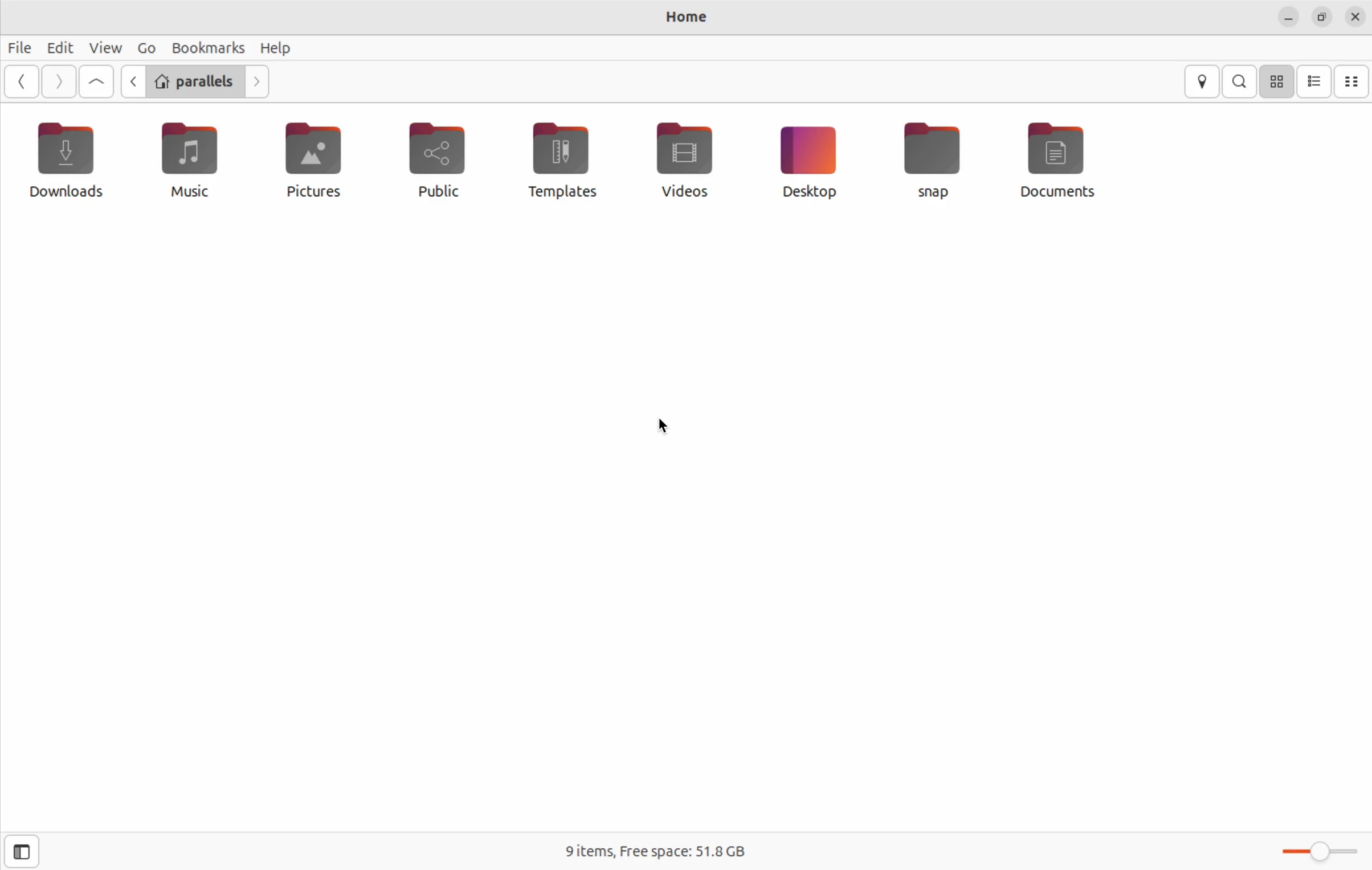 This screenshot has width=1372, height=870. What do you see at coordinates (21, 49) in the screenshot?
I see `File` at bounding box center [21, 49].